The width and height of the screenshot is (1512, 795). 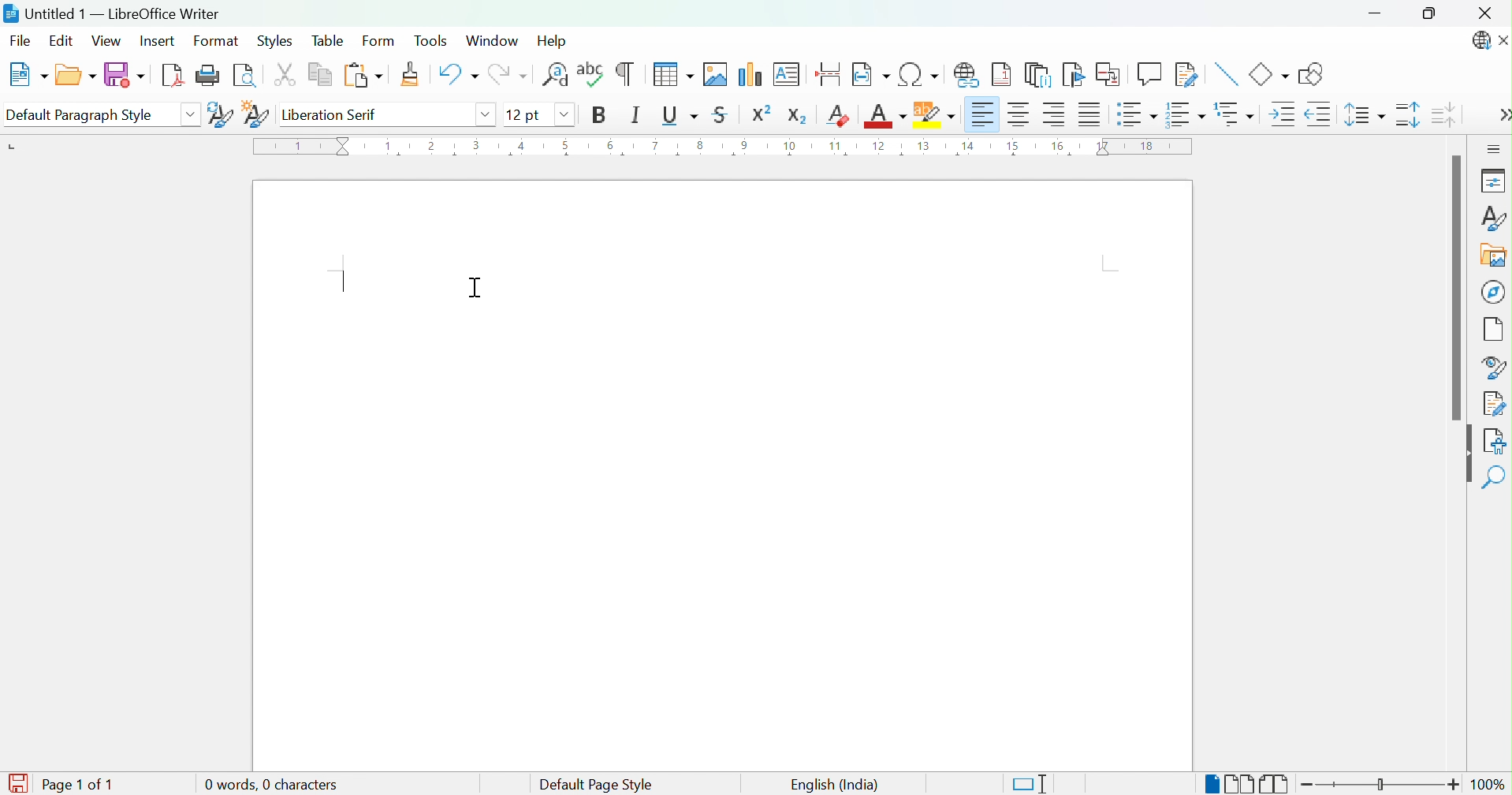 I want to click on Undo, so click(x=456, y=75).